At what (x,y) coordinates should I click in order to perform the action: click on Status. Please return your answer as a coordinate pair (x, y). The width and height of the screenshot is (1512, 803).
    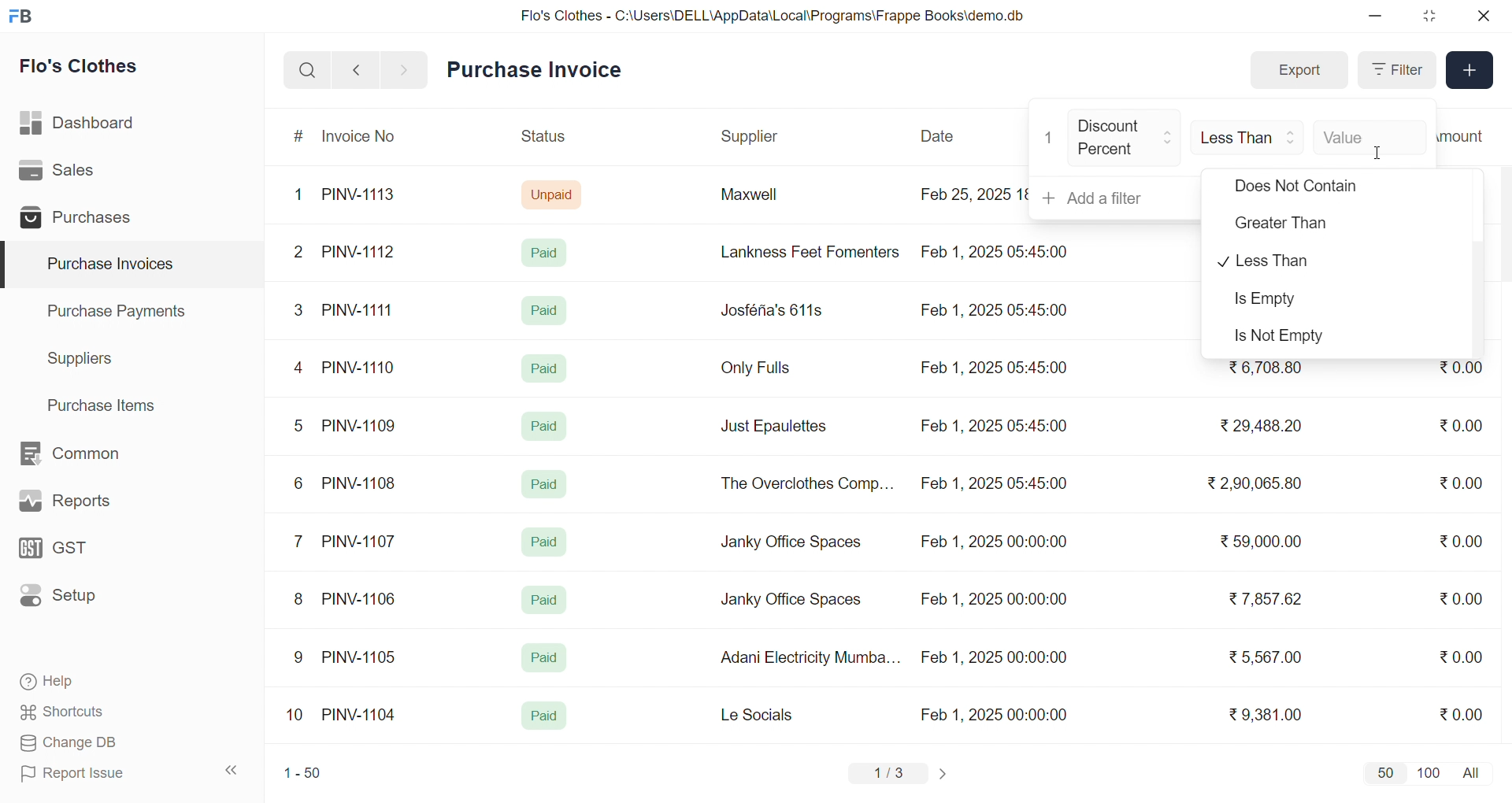
    Looking at the image, I should click on (542, 139).